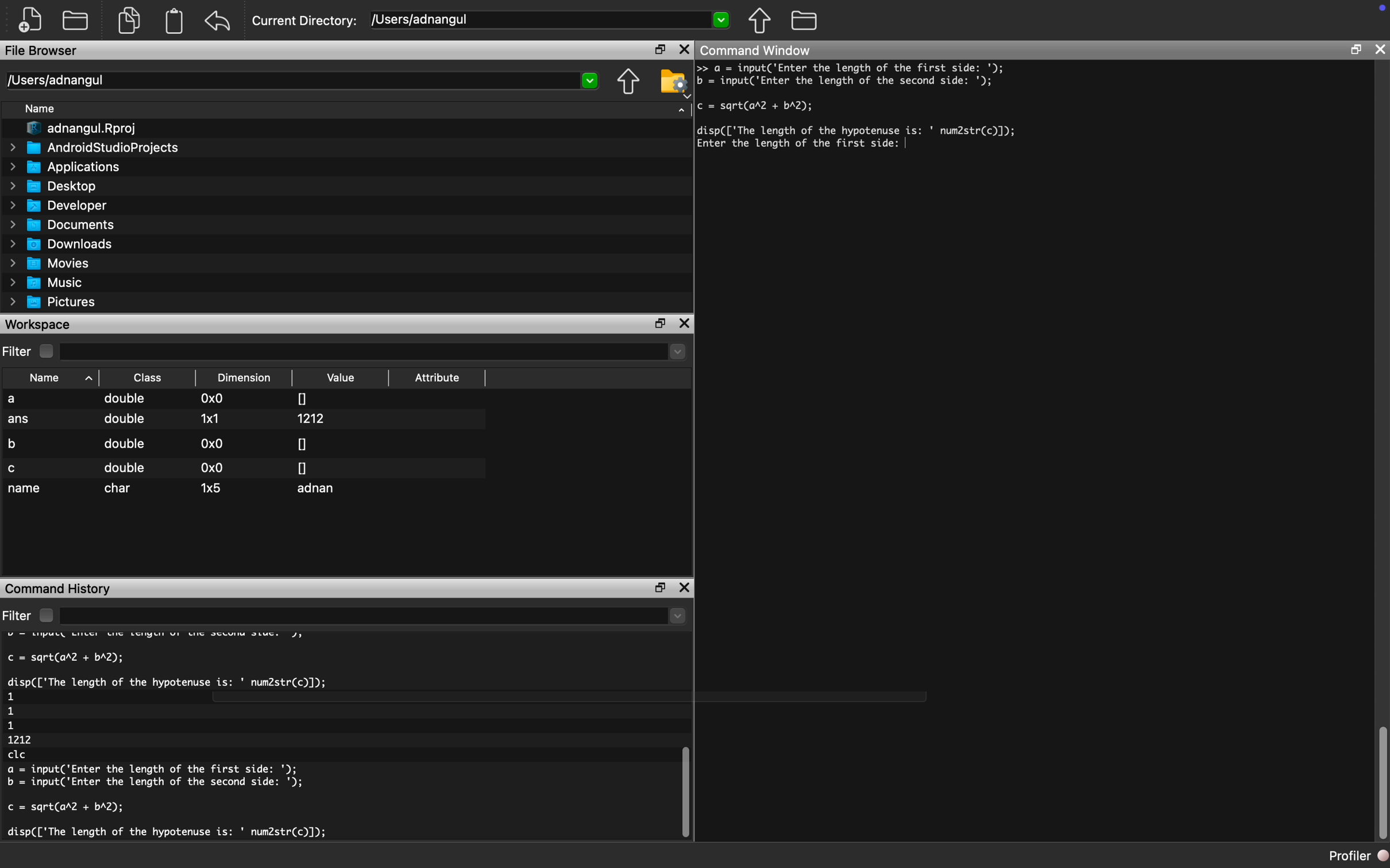 The width and height of the screenshot is (1390, 868). What do you see at coordinates (1381, 49) in the screenshot?
I see `close` at bounding box center [1381, 49].